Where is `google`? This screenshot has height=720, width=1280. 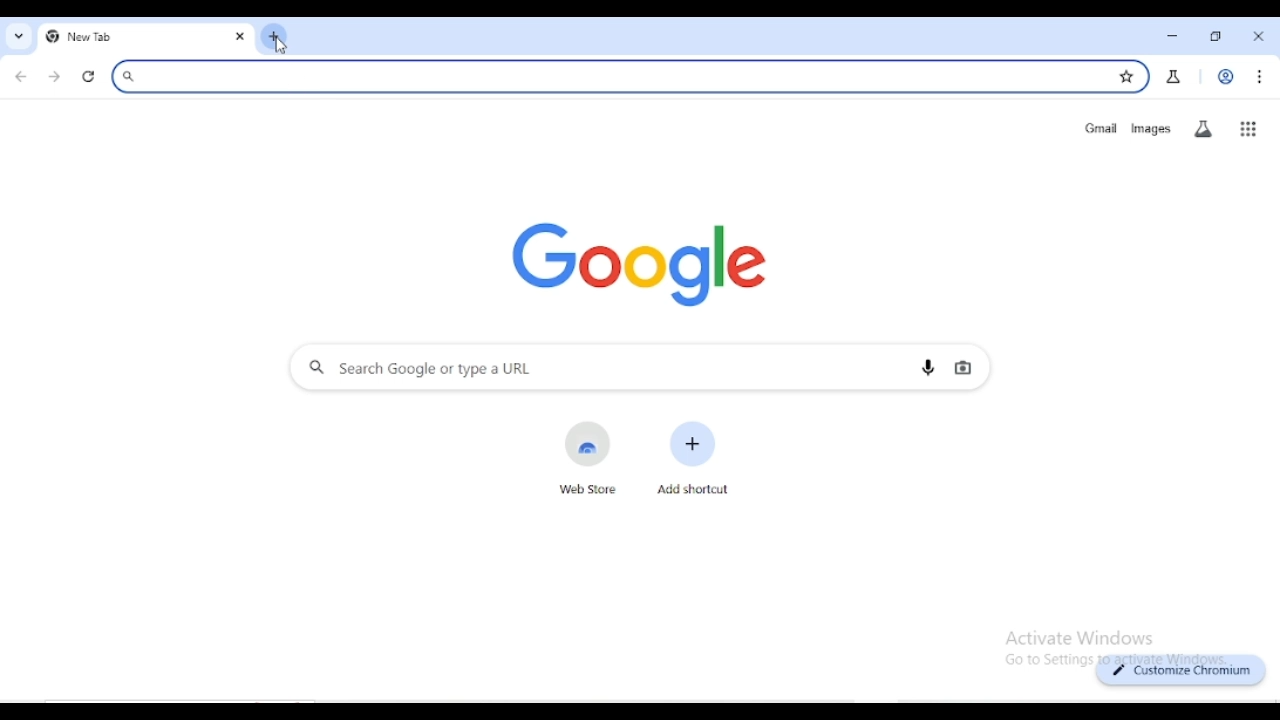
google is located at coordinates (638, 264).